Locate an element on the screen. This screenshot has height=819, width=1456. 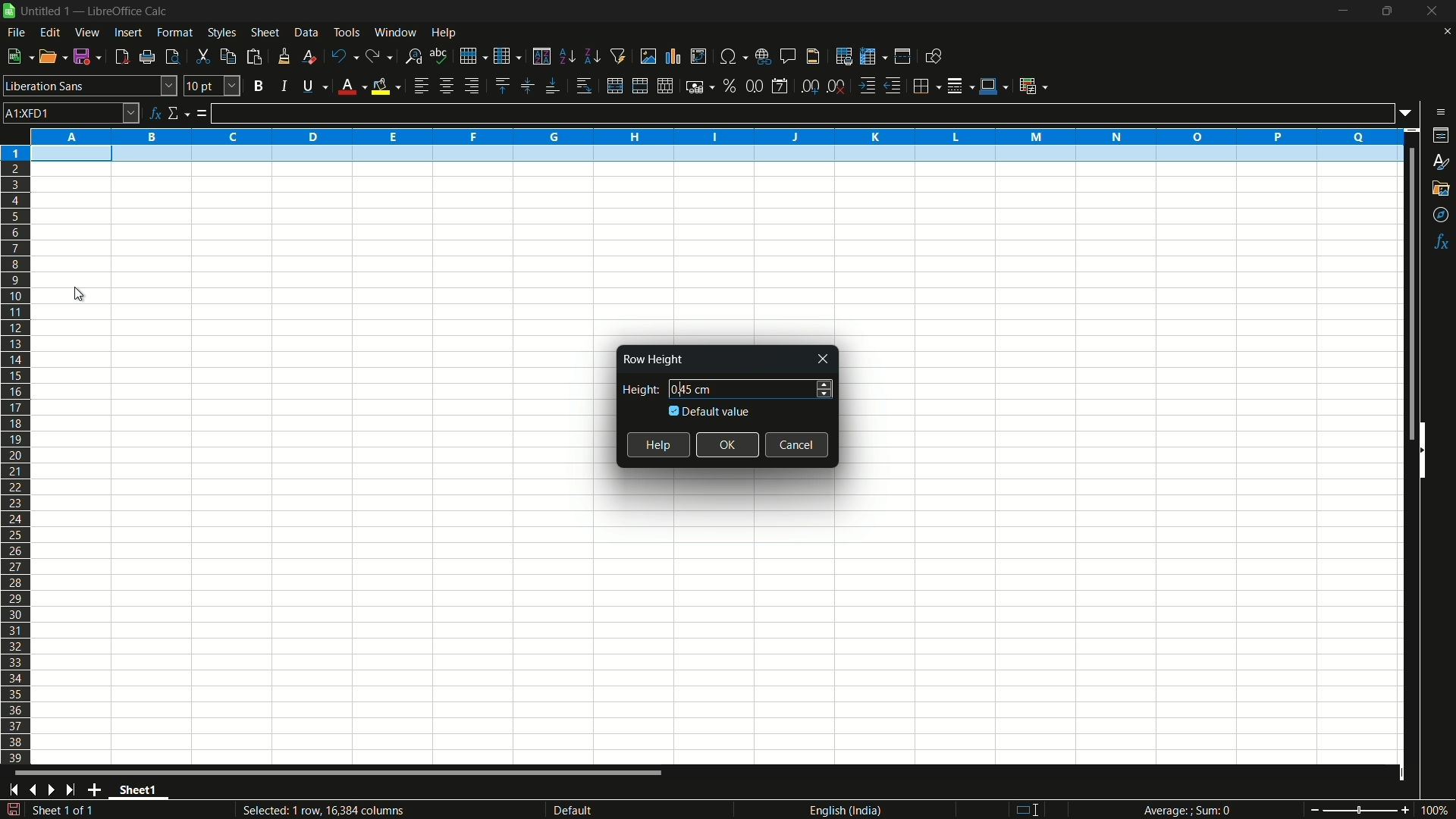
freeze rows and columns is located at coordinates (872, 57).